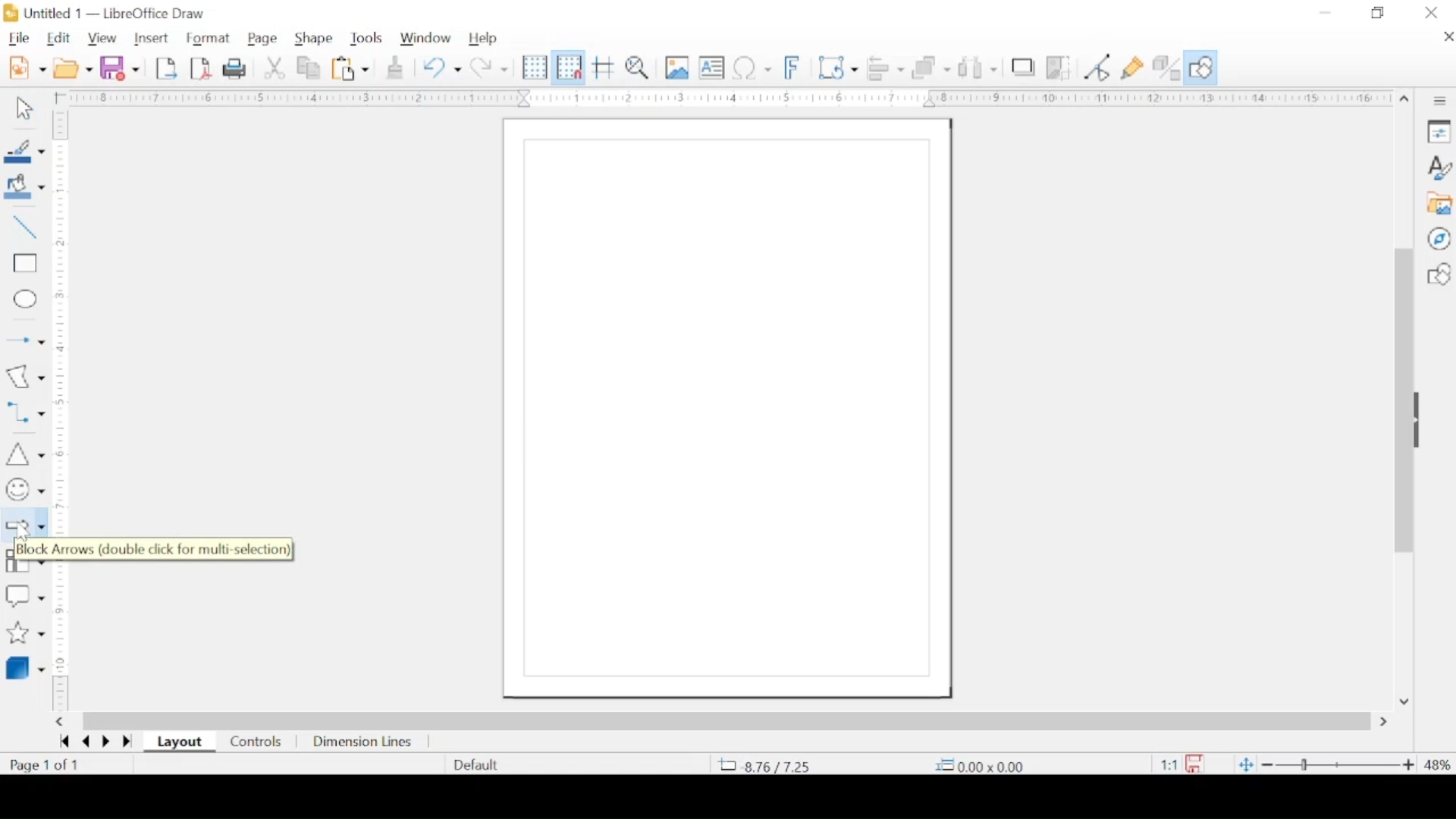  What do you see at coordinates (1439, 130) in the screenshot?
I see `properties` at bounding box center [1439, 130].